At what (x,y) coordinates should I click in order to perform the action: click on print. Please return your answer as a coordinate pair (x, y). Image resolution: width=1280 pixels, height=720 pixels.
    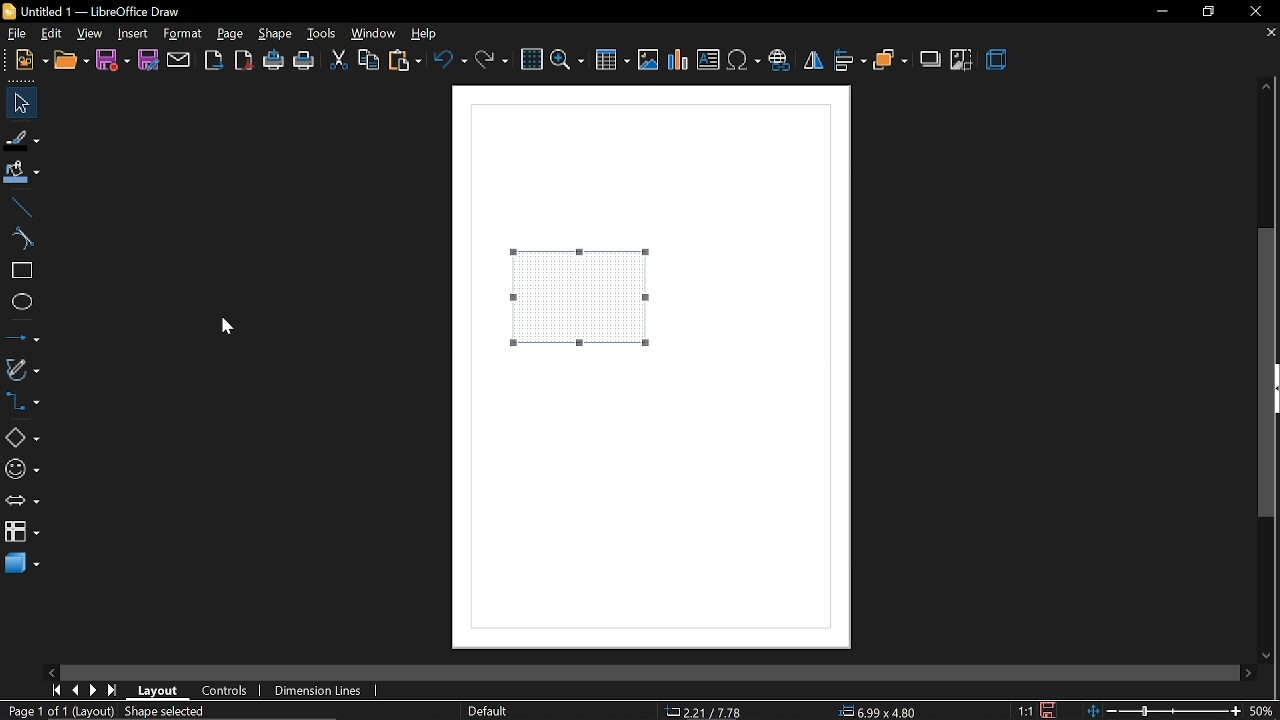
    Looking at the image, I should click on (306, 63).